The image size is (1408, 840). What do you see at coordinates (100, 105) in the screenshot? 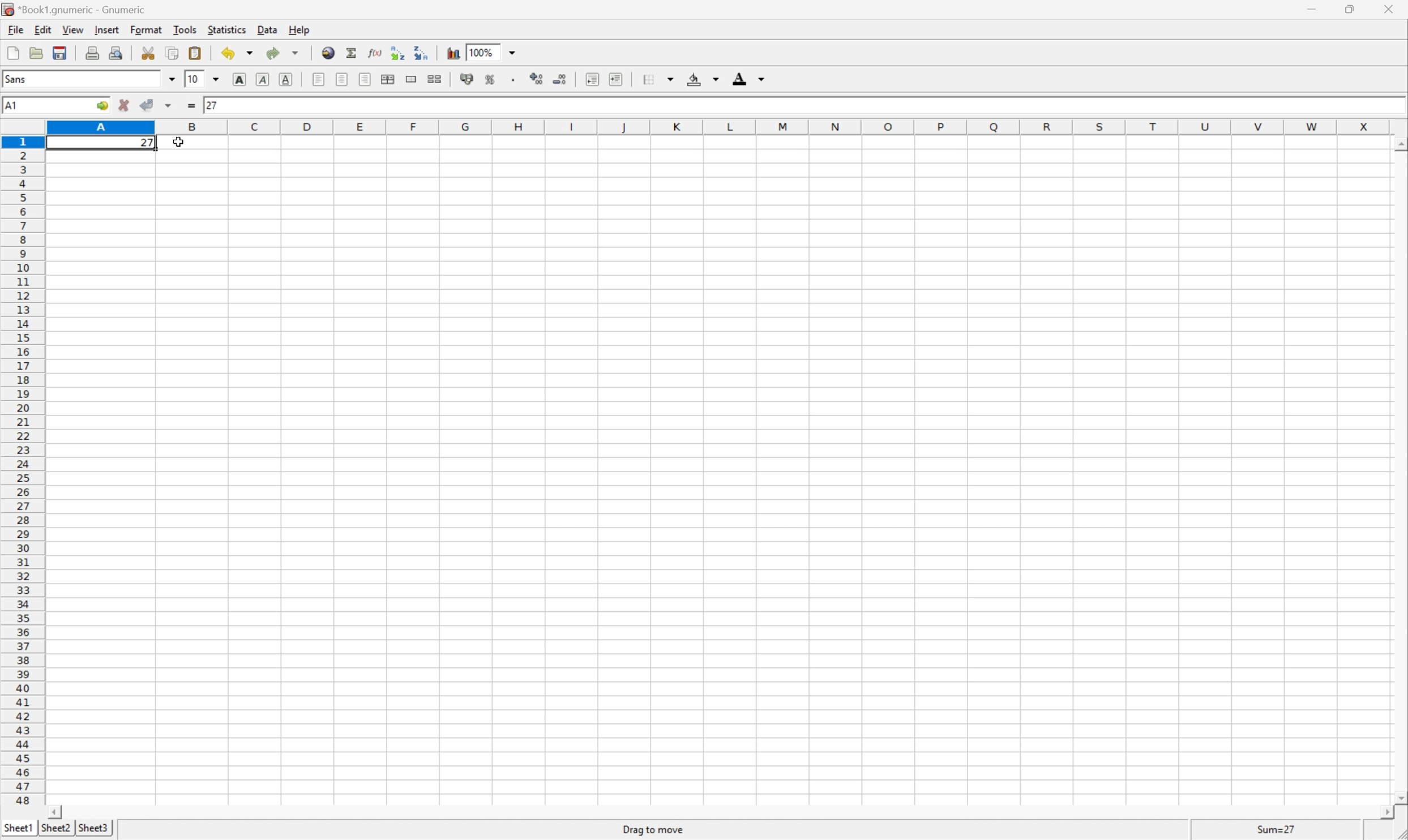
I see `Go to` at bounding box center [100, 105].